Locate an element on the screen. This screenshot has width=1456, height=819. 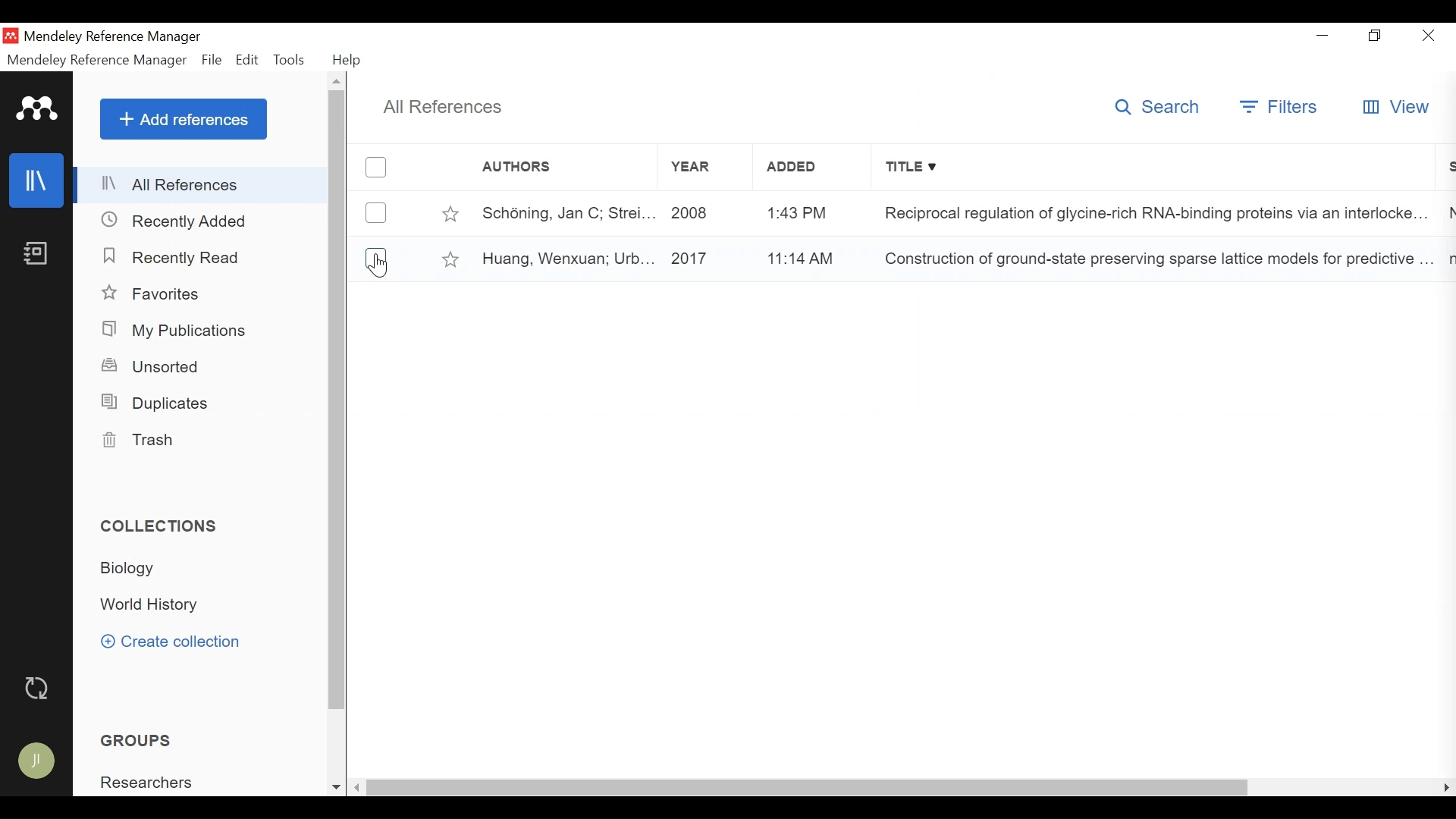
(un)select is located at coordinates (375, 213).